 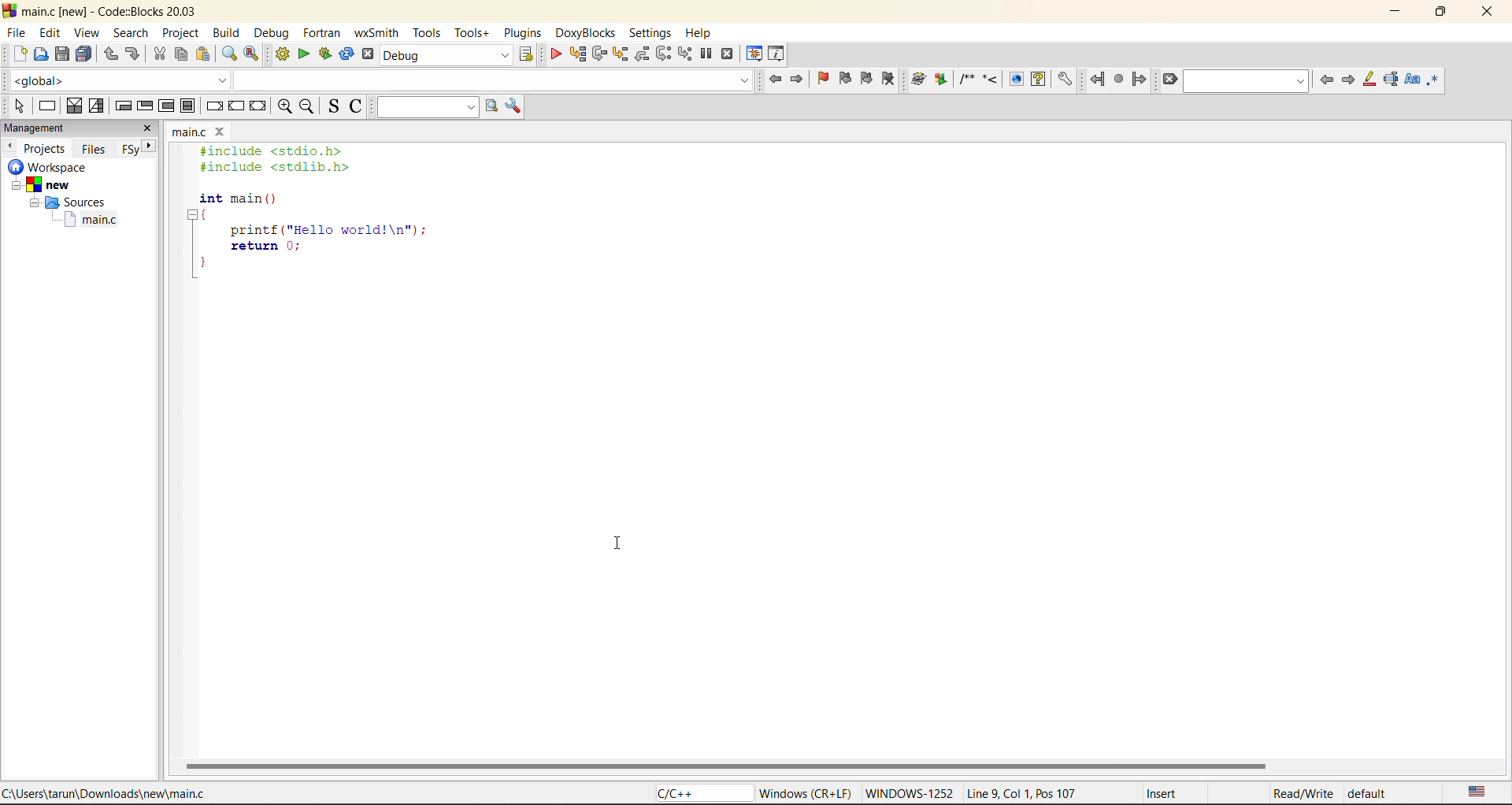 I want to click on new, so click(x=63, y=184).